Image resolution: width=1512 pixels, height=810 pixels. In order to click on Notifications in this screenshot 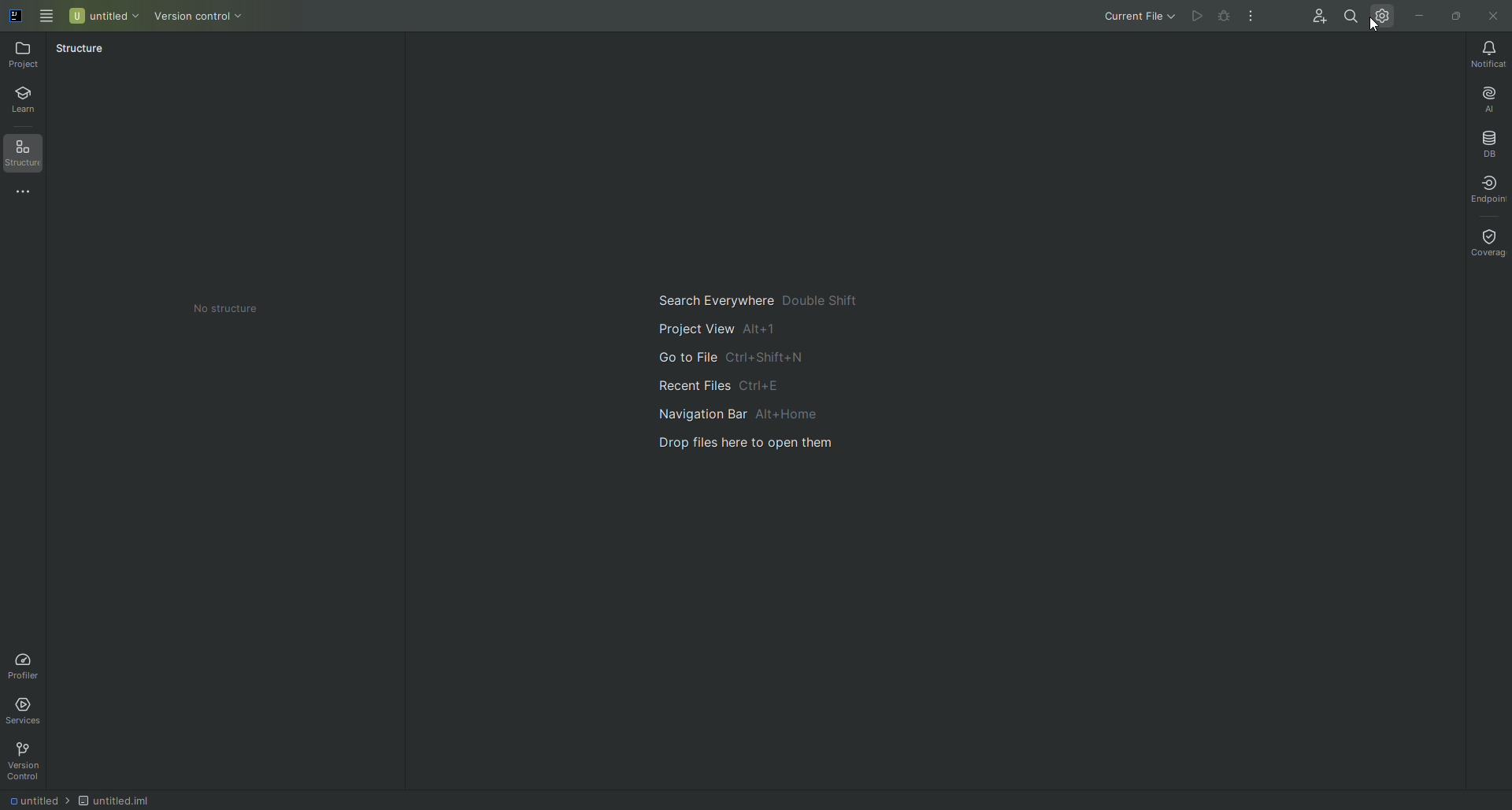, I will do `click(1488, 55)`.